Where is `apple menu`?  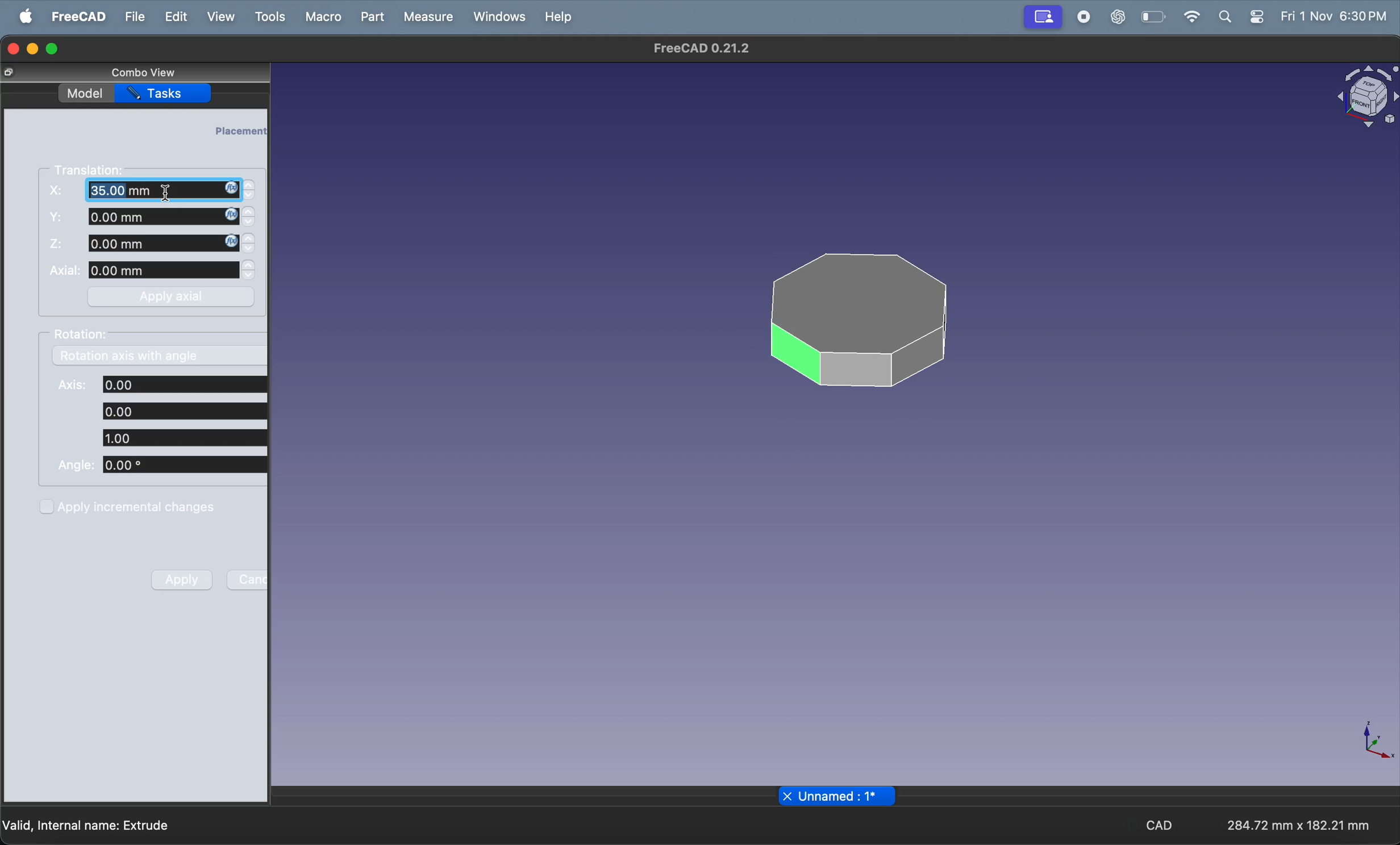
apple menu is located at coordinates (23, 17).